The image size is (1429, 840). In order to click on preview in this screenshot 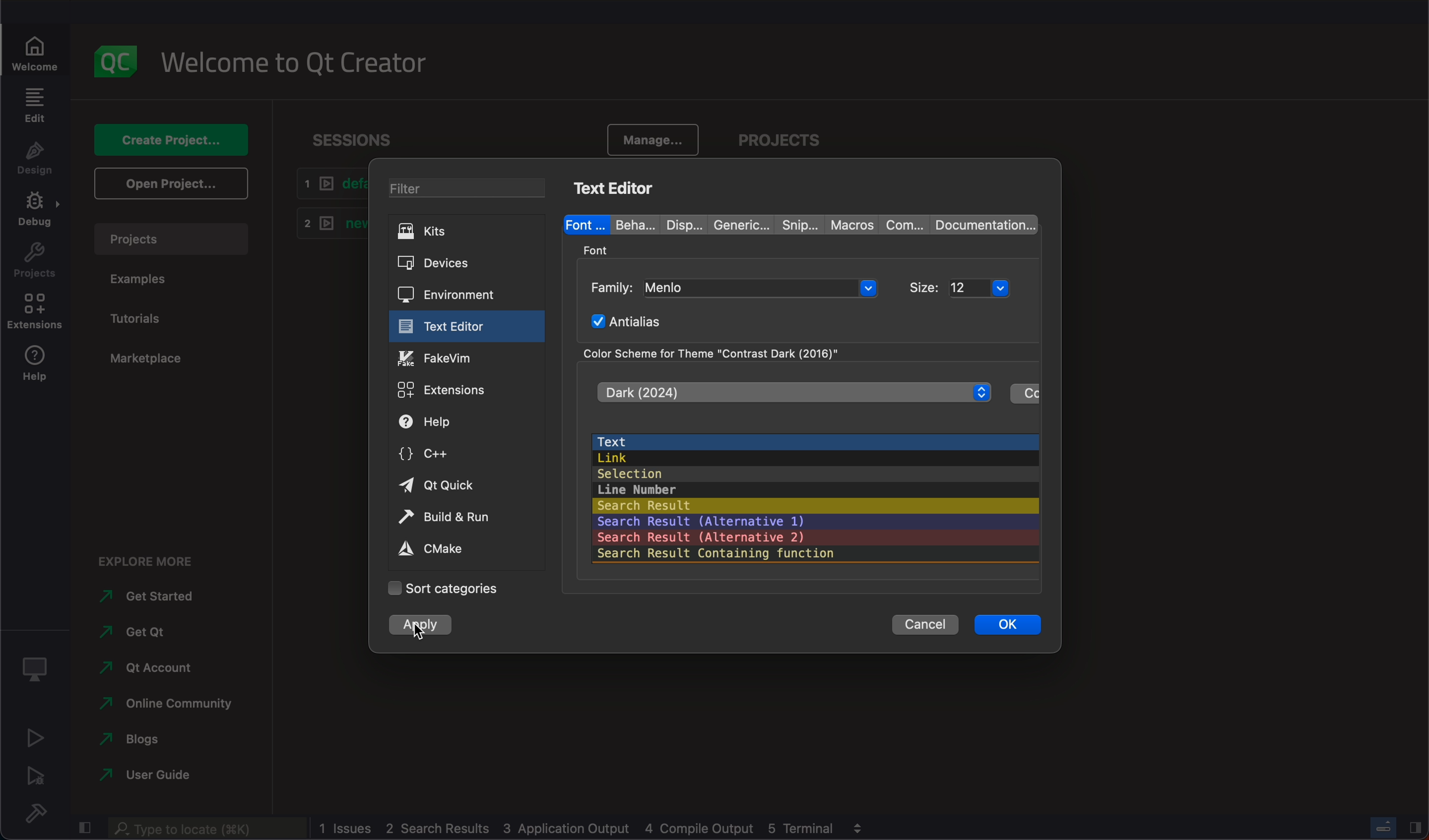, I will do `click(815, 495)`.